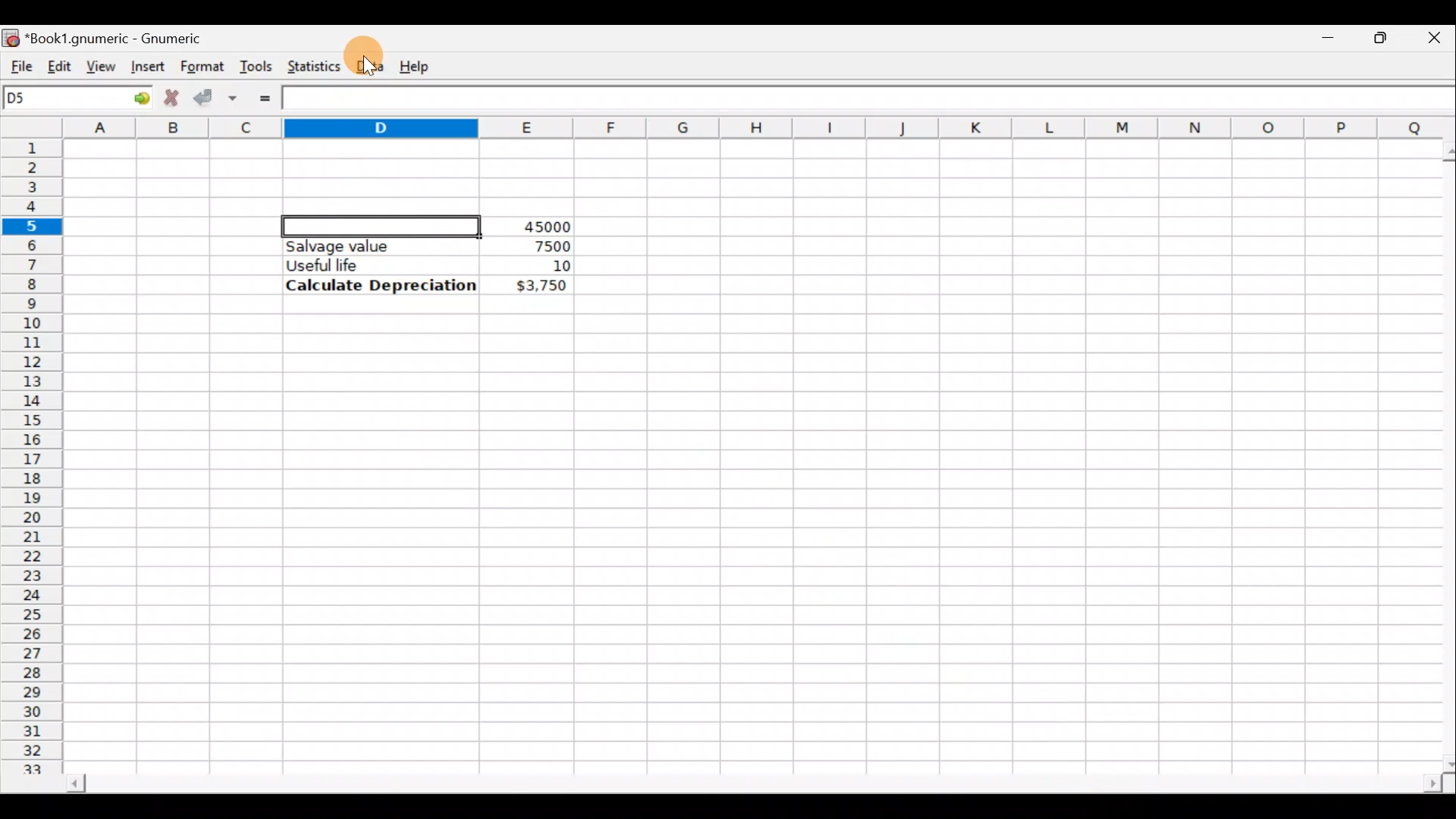 The image size is (1456, 819). What do you see at coordinates (17, 63) in the screenshot?
I see `File` at bounding box center [17, 63].